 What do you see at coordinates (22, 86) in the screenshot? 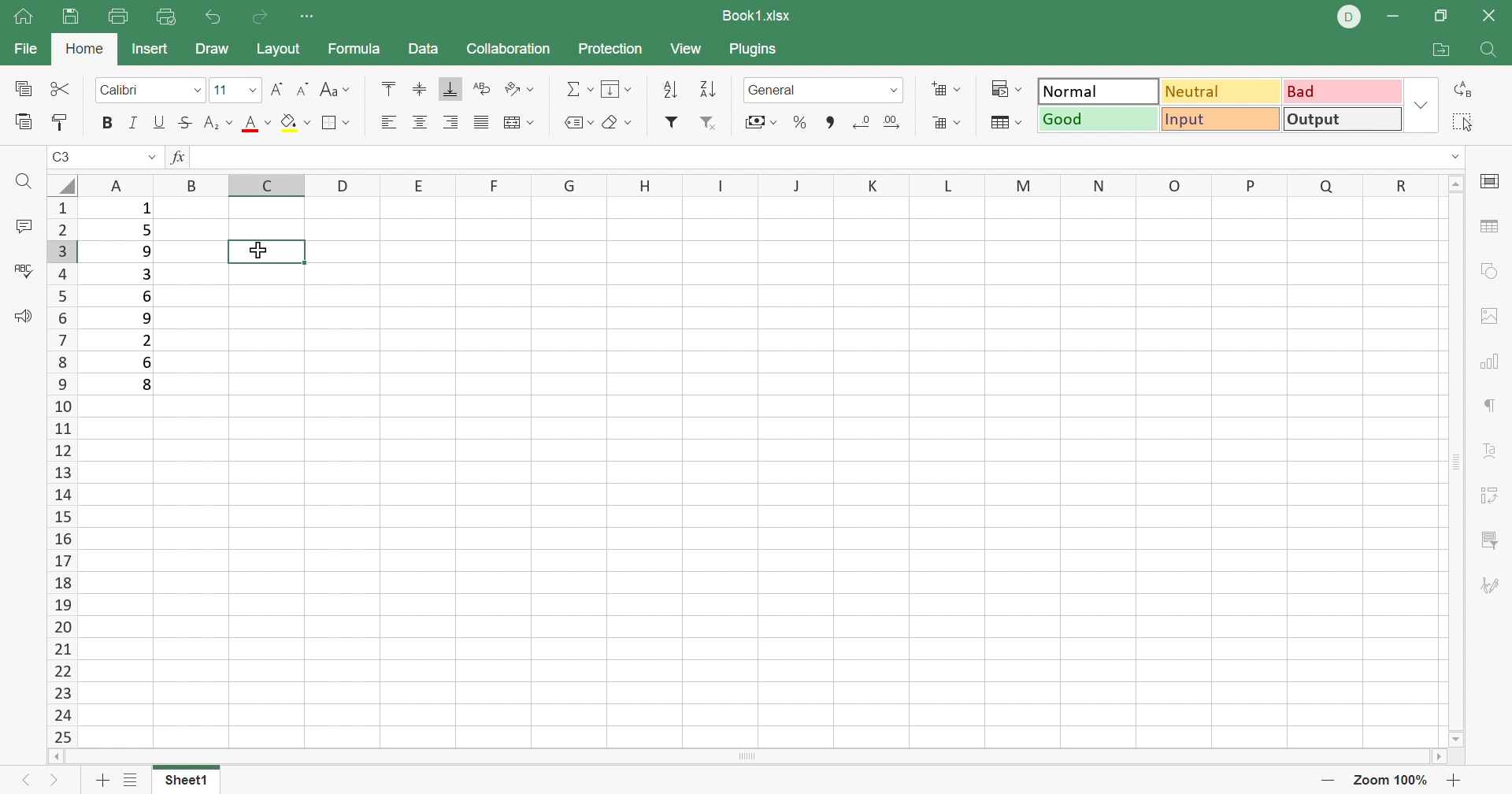
I see `Copy` at bounding box center [22, 86].